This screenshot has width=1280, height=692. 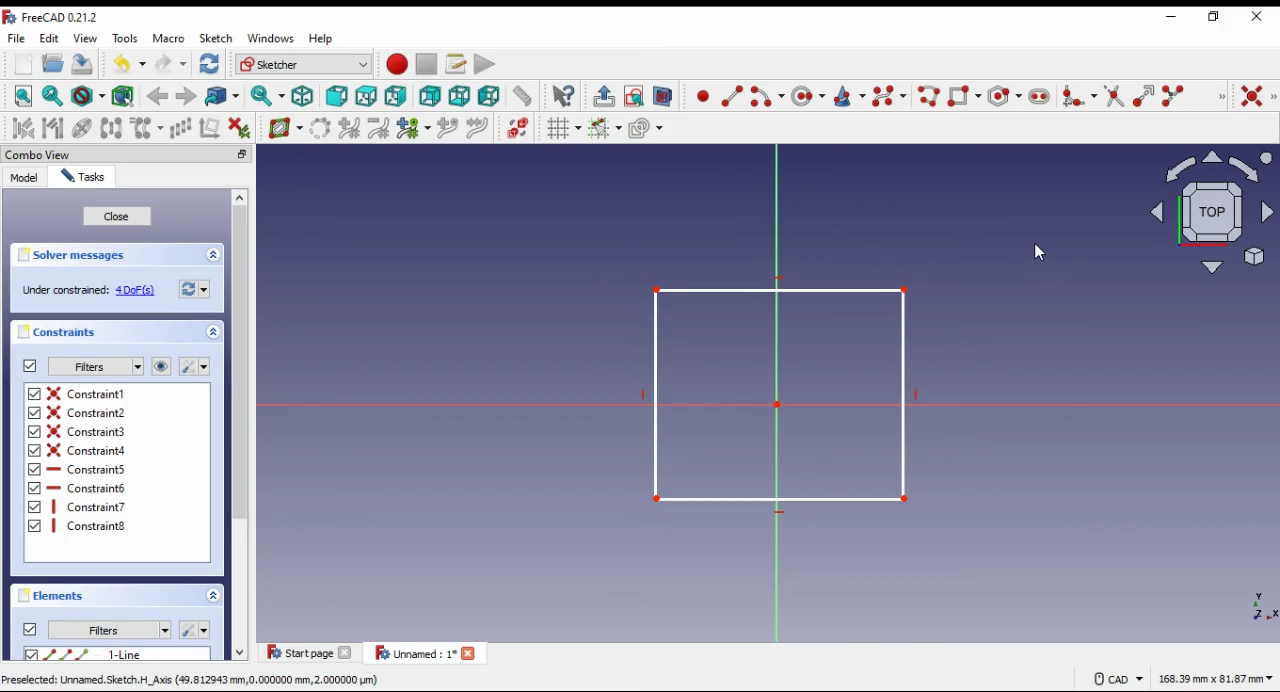 I want to click on axis, so click(x=1253, y=603).